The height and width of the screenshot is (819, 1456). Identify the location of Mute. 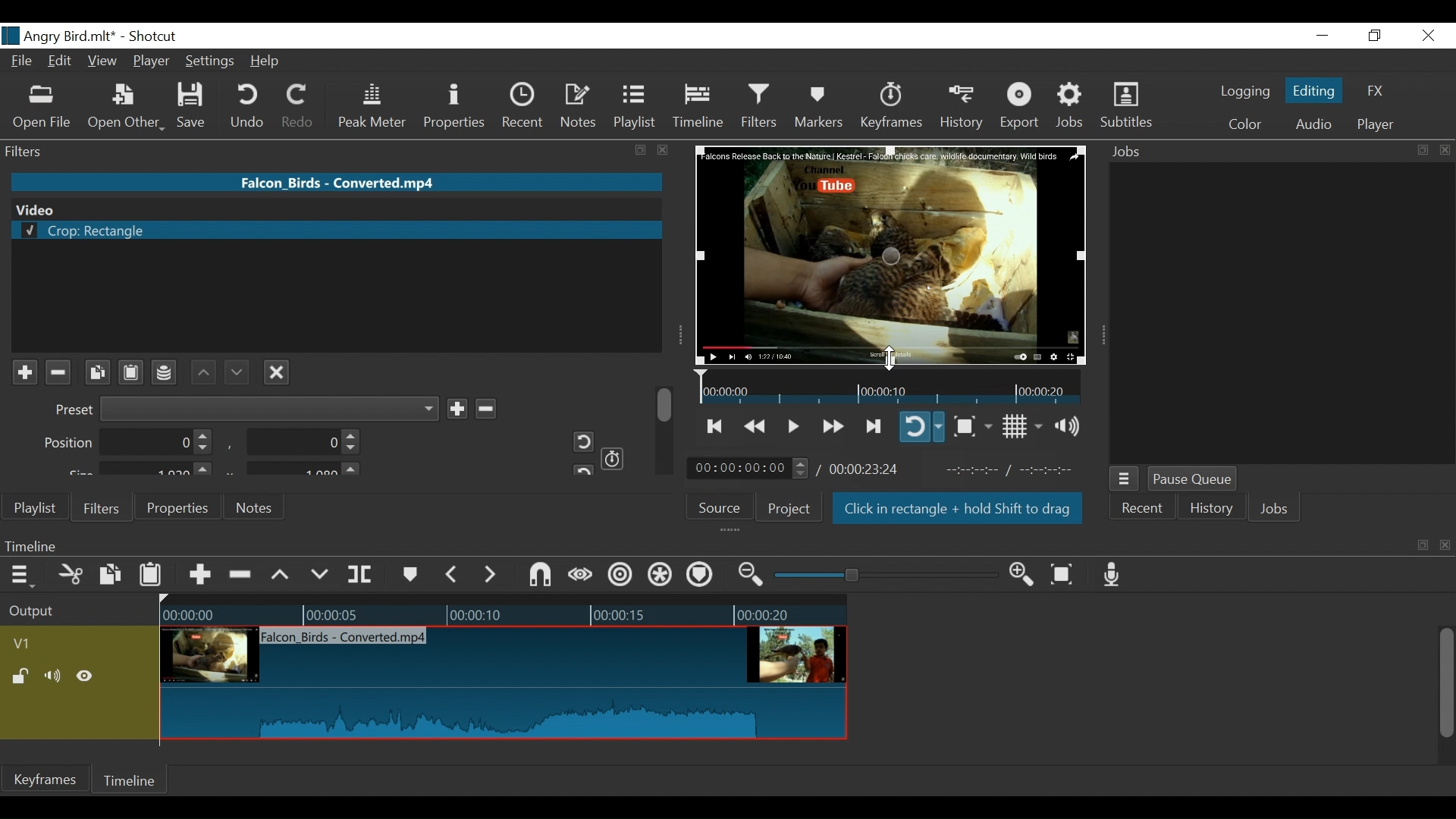
(55, 677).